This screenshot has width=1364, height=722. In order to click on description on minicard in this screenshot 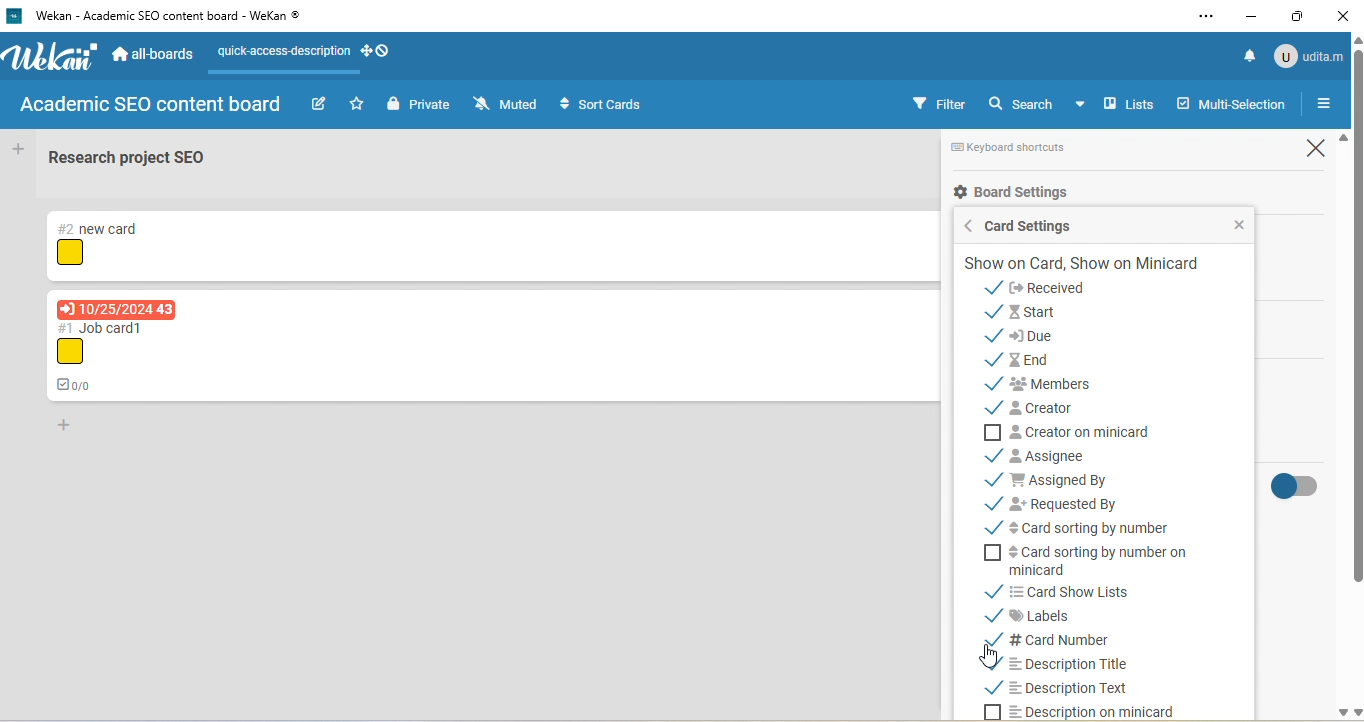, I will do `click(1101, 711)`.